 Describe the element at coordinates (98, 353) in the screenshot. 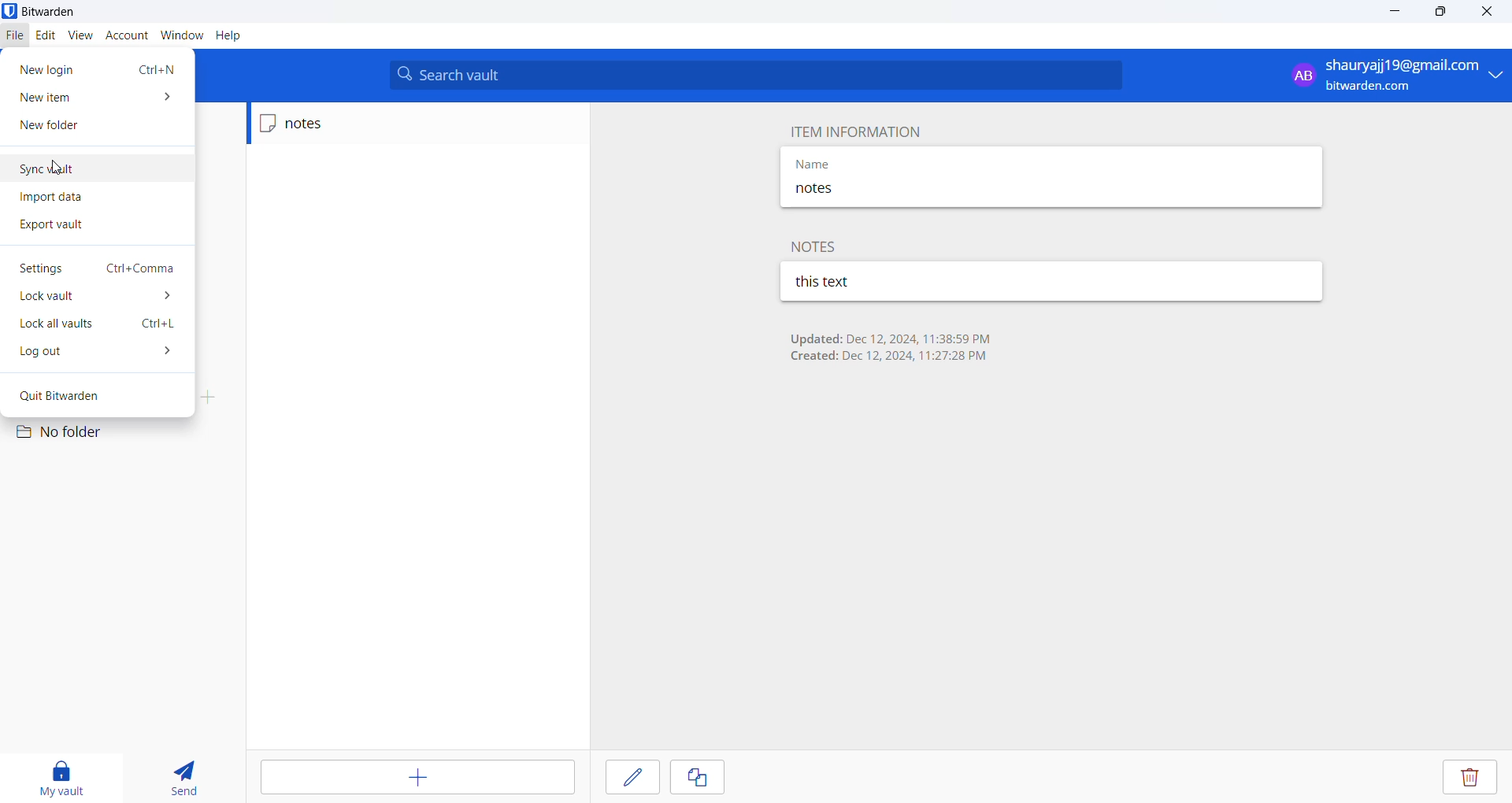

I see `log out` at that location.